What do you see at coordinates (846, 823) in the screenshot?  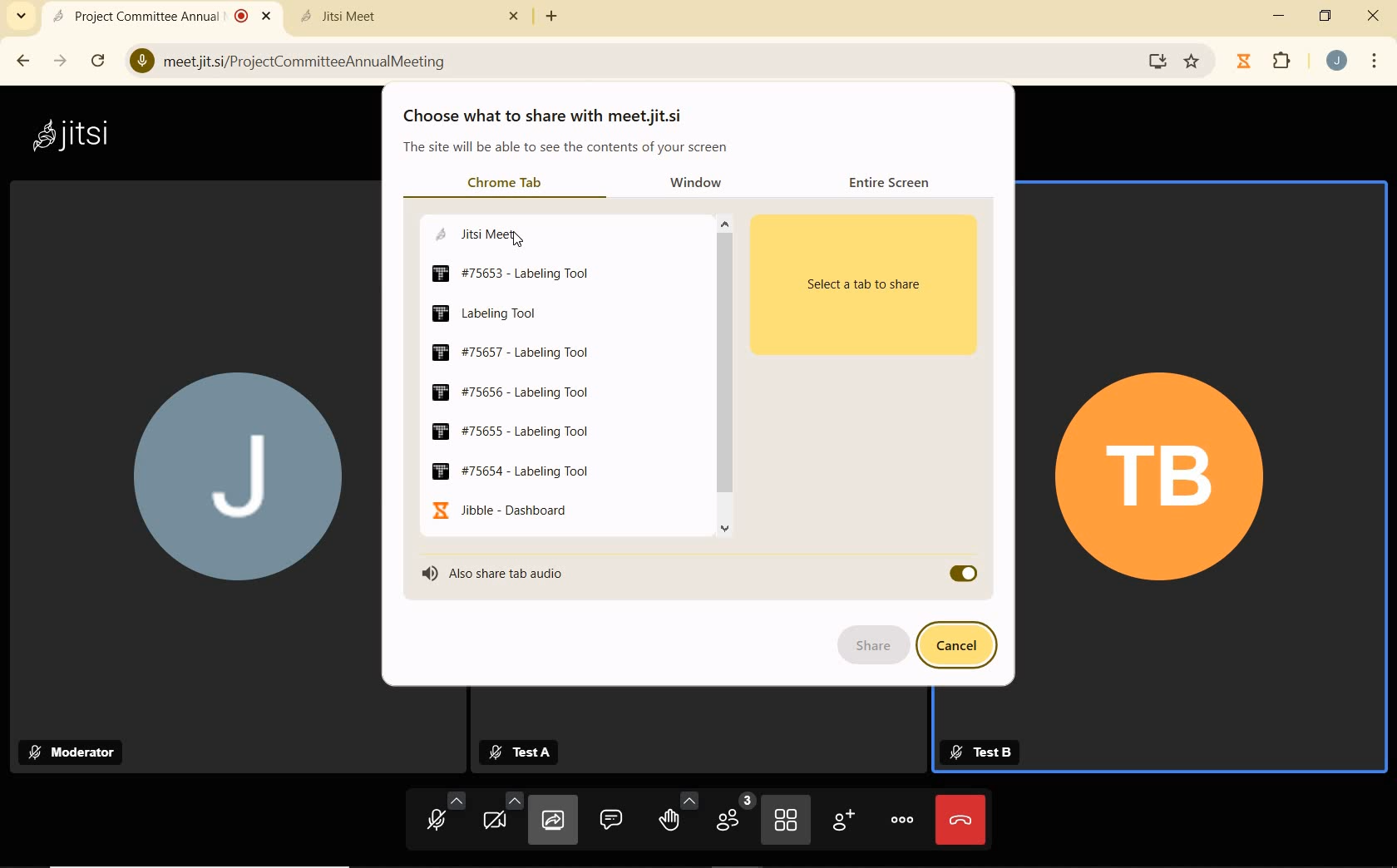 I see `INVITE PEOPLE` at bounding box center [846, 823].